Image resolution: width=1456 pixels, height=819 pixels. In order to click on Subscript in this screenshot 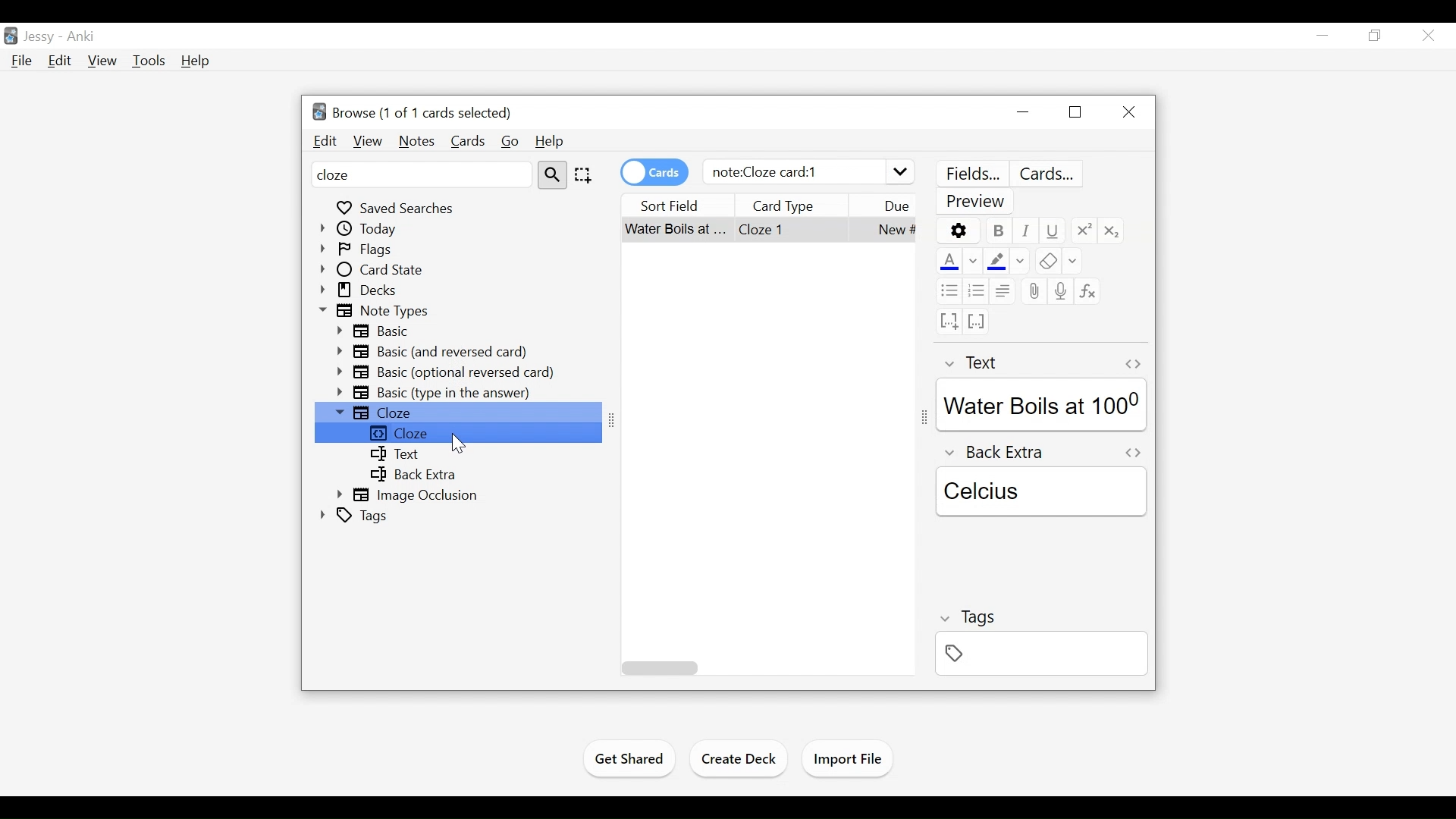, I will do `click(1111, 231)`.